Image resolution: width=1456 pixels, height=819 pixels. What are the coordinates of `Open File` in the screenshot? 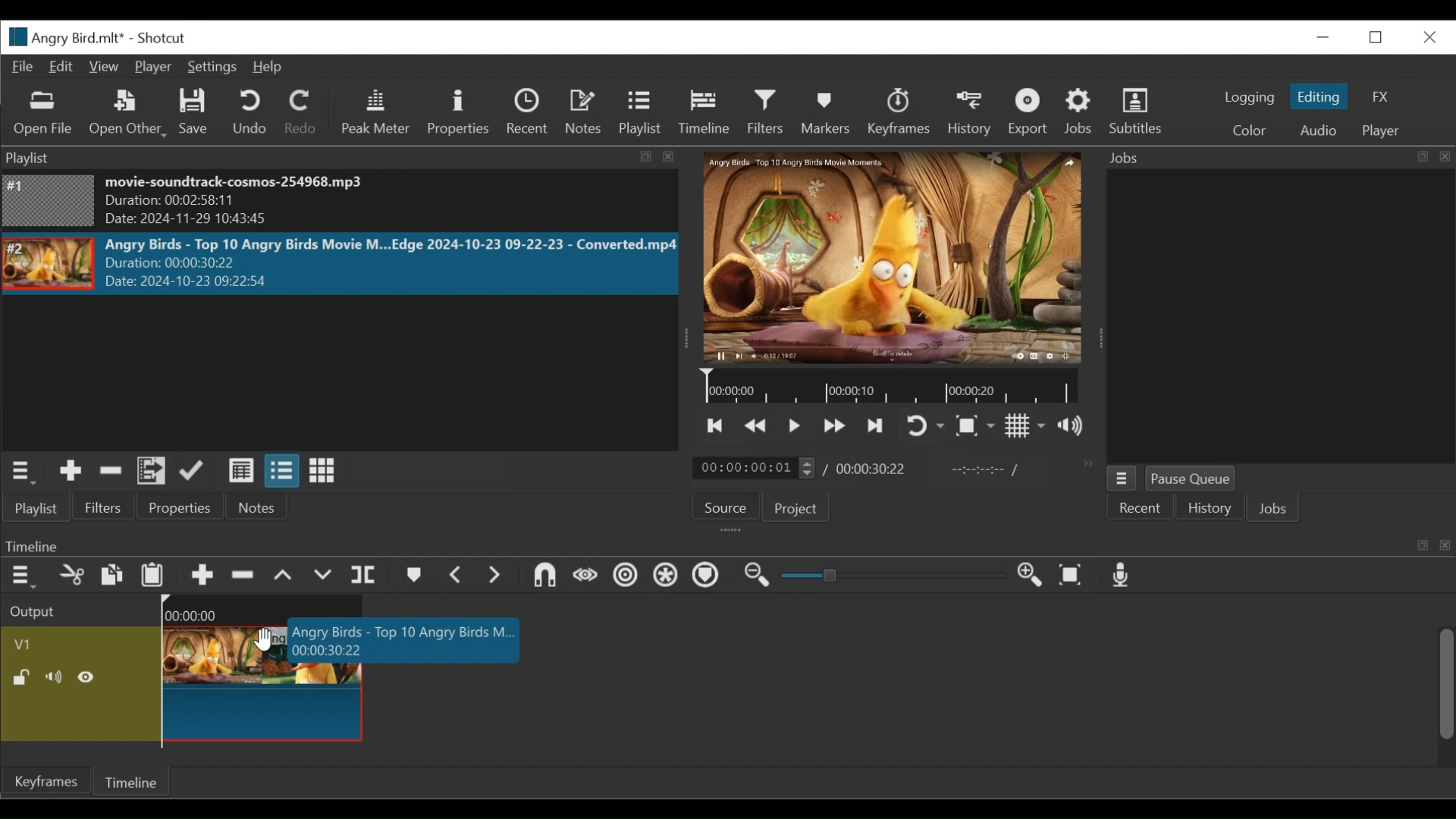 It's located at (40, 114).